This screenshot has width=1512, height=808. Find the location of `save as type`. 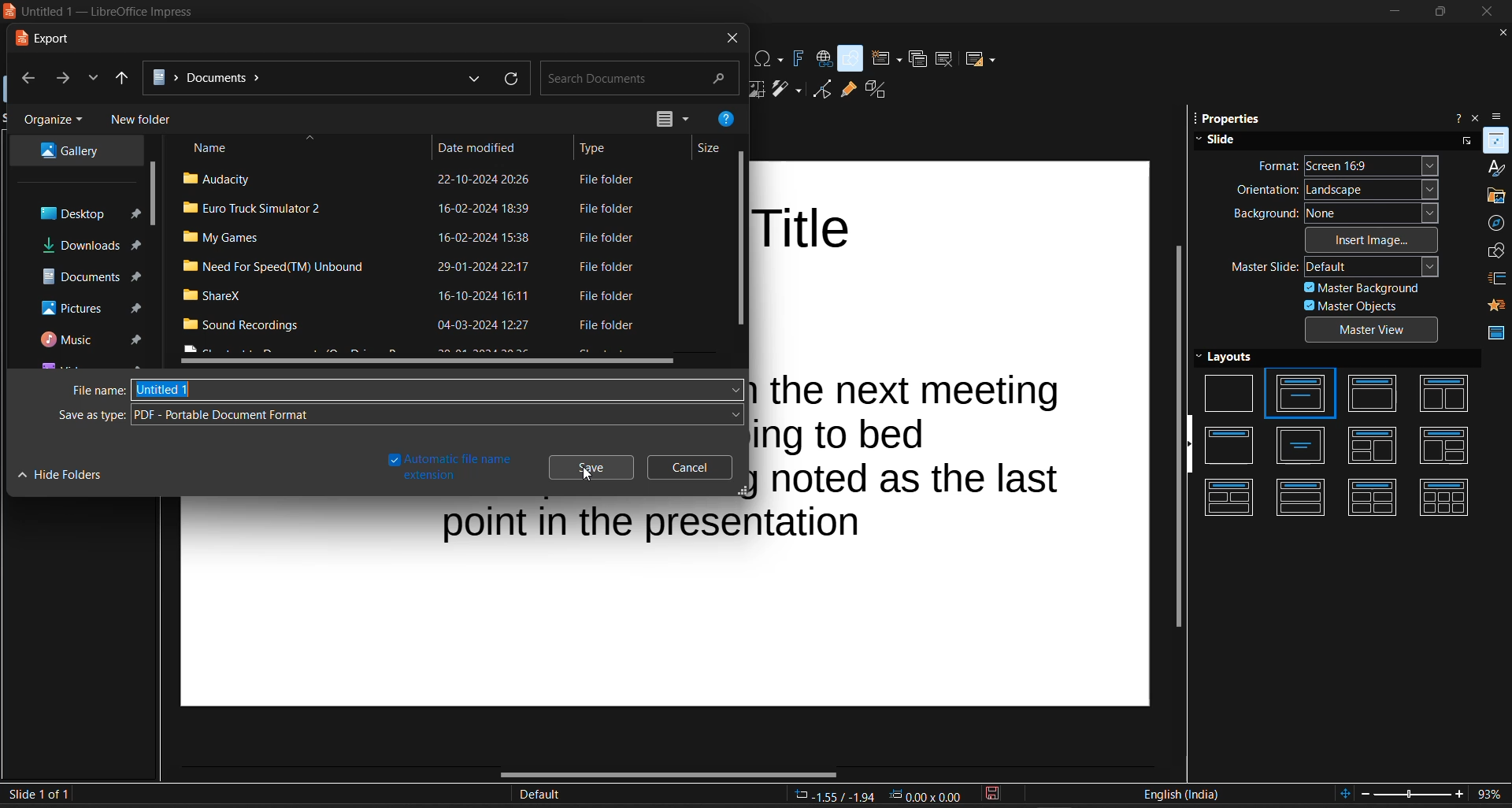

save as type is located at coordinates (400, 415).